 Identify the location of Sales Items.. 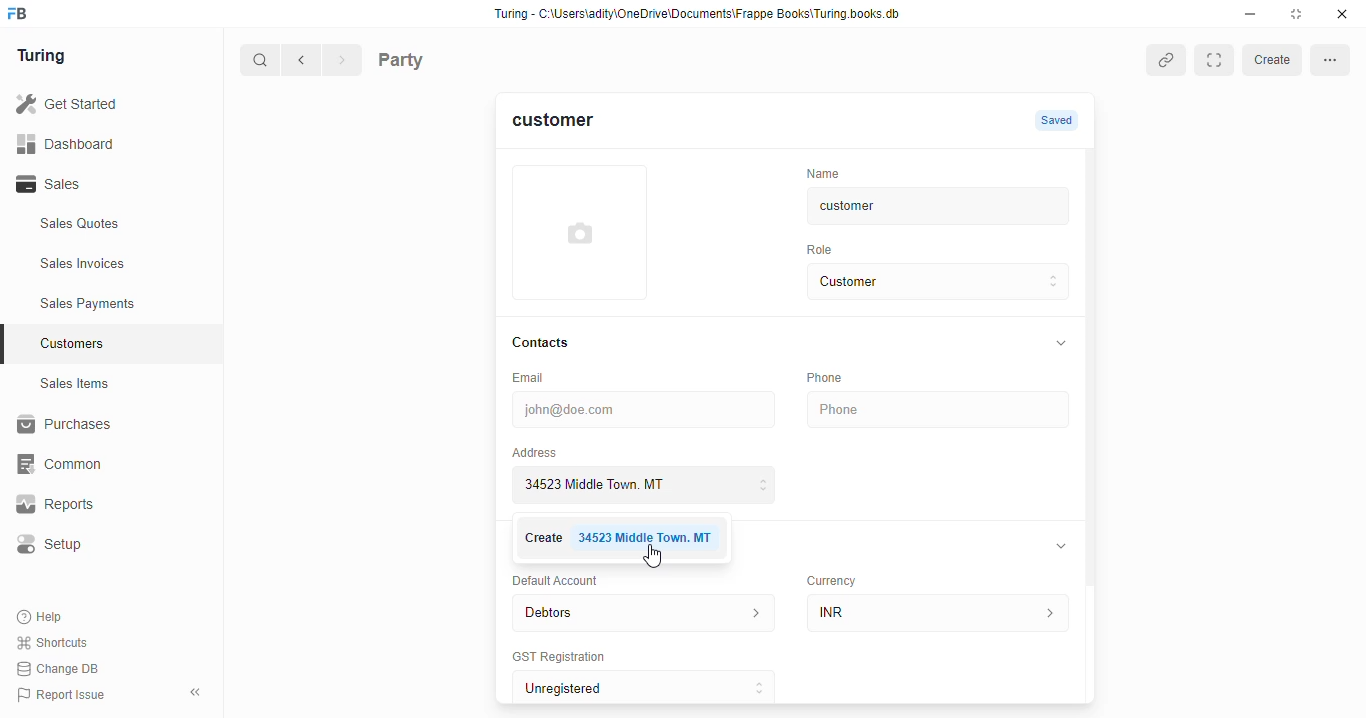
(111, 384).